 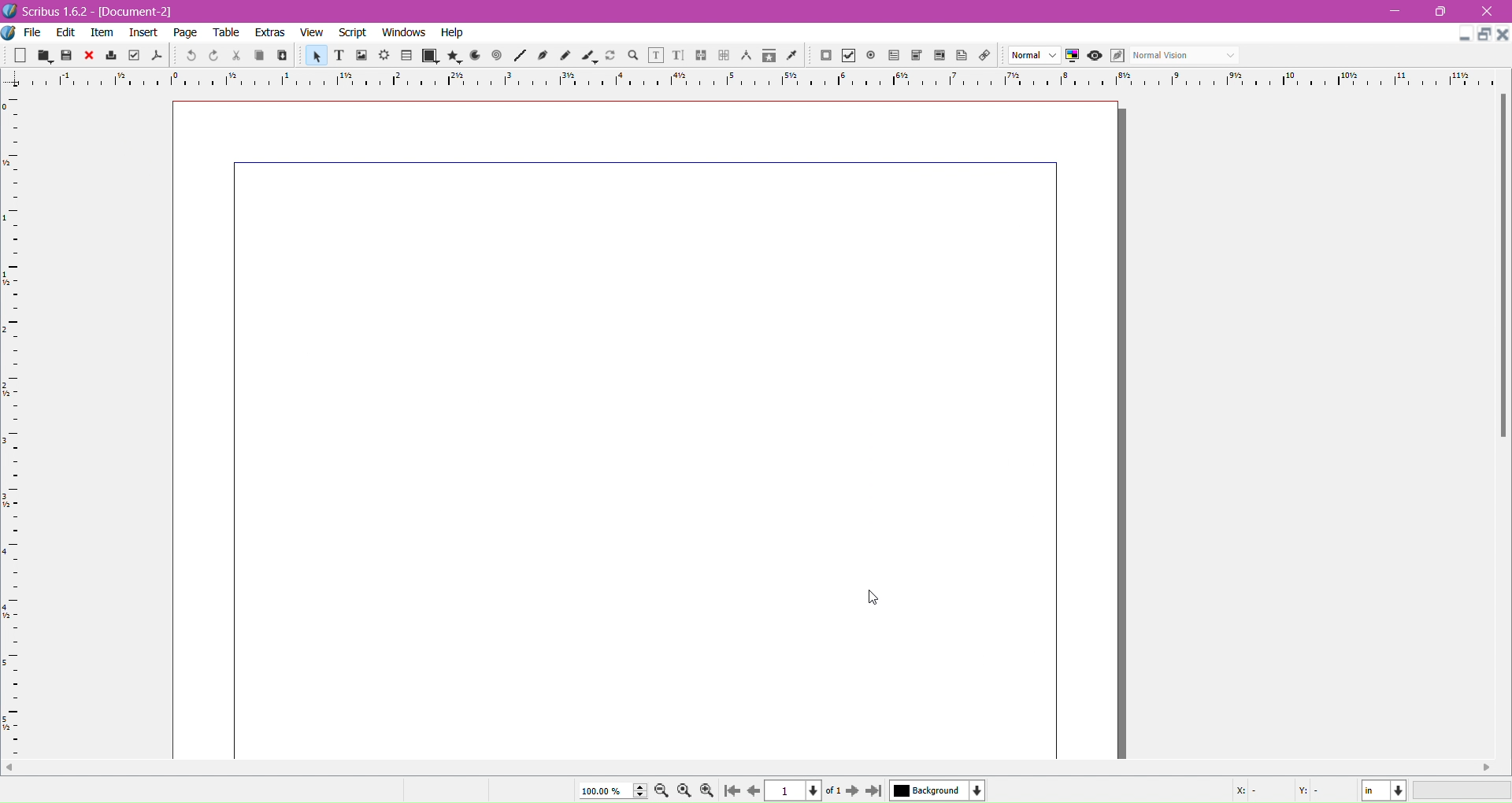 I want to click on icon, so click(x=218, y=55).